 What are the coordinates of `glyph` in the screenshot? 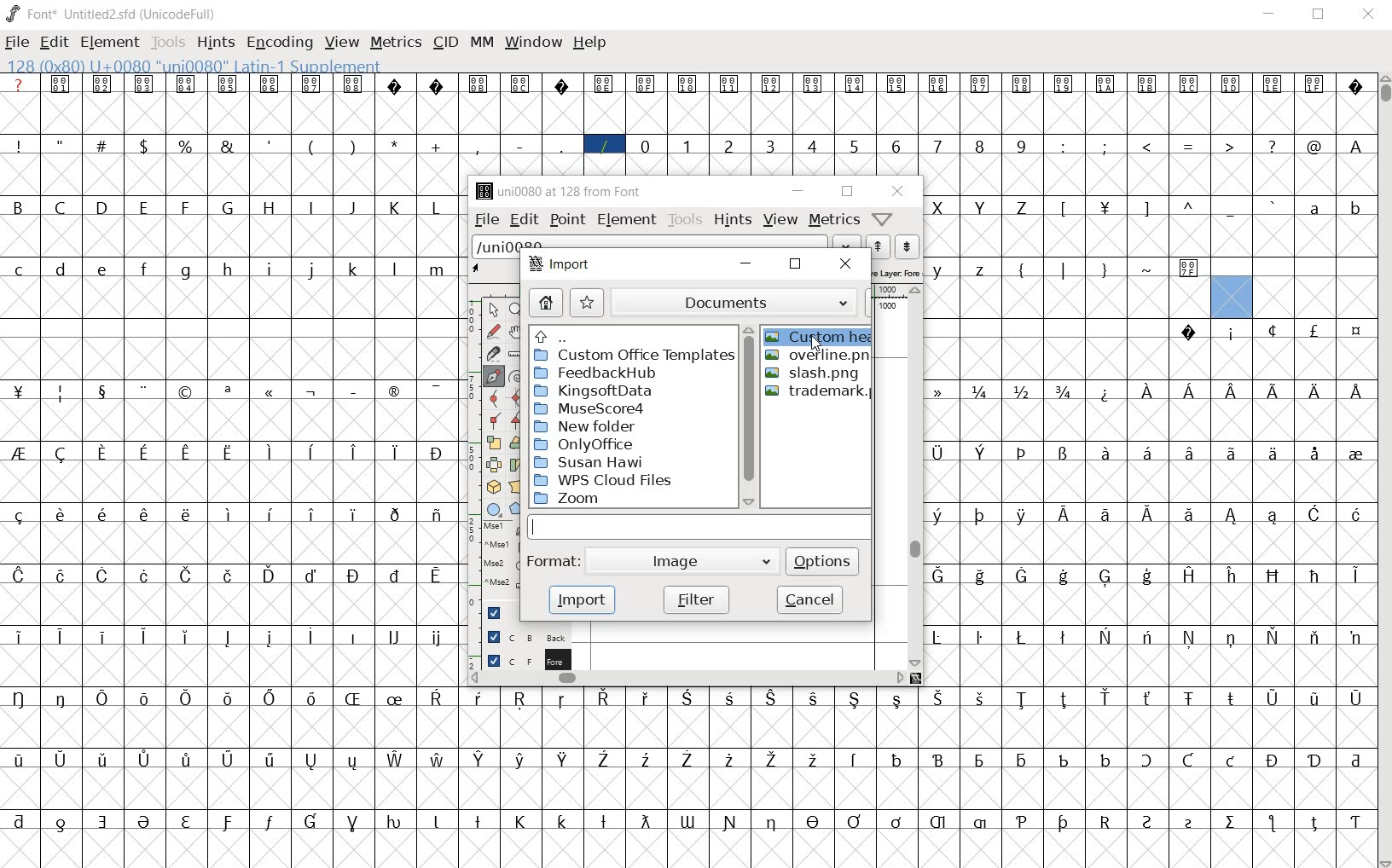 It's located at (645, 821).